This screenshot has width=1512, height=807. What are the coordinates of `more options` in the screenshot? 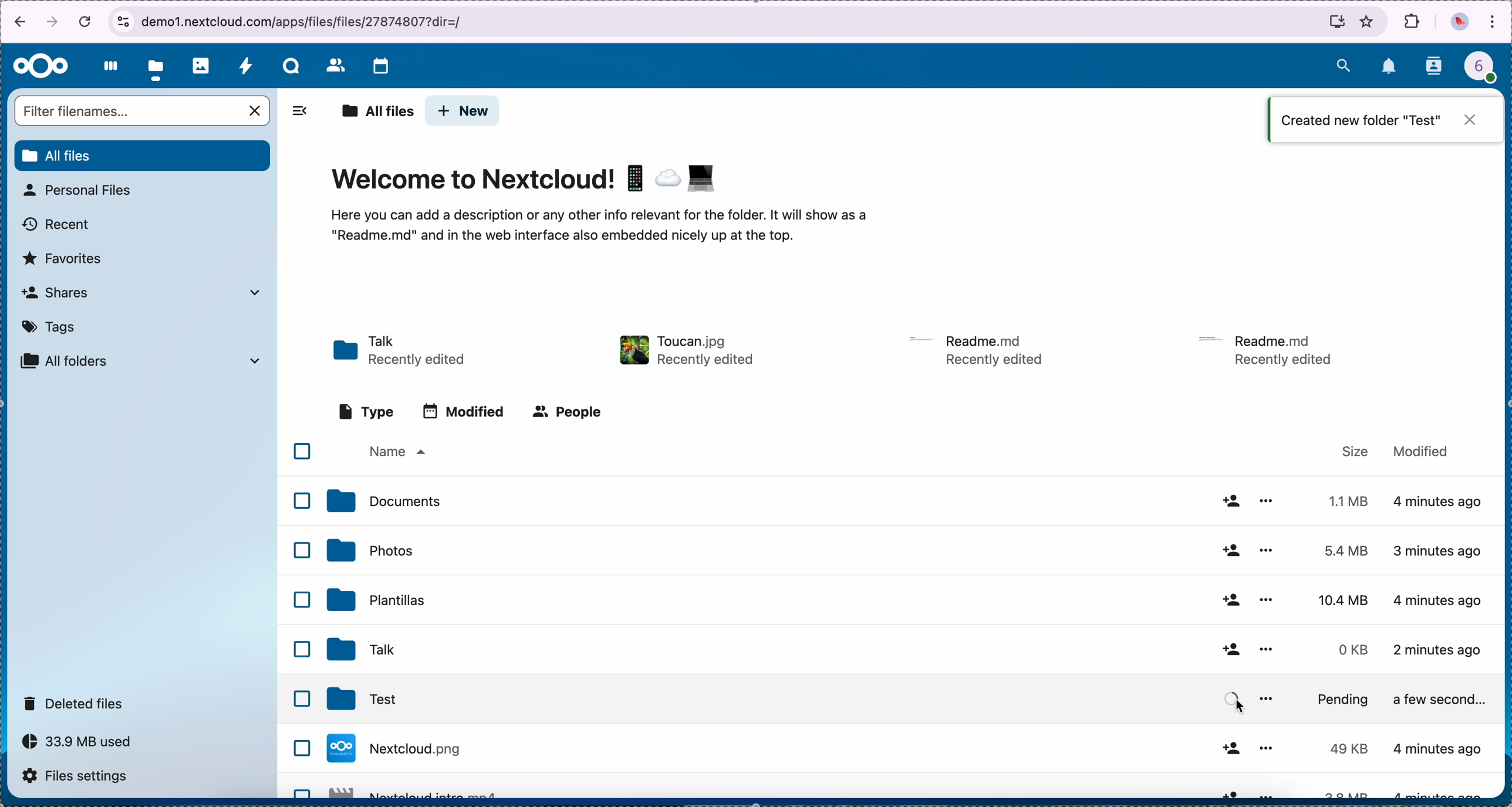 It's located at (1269, 695).